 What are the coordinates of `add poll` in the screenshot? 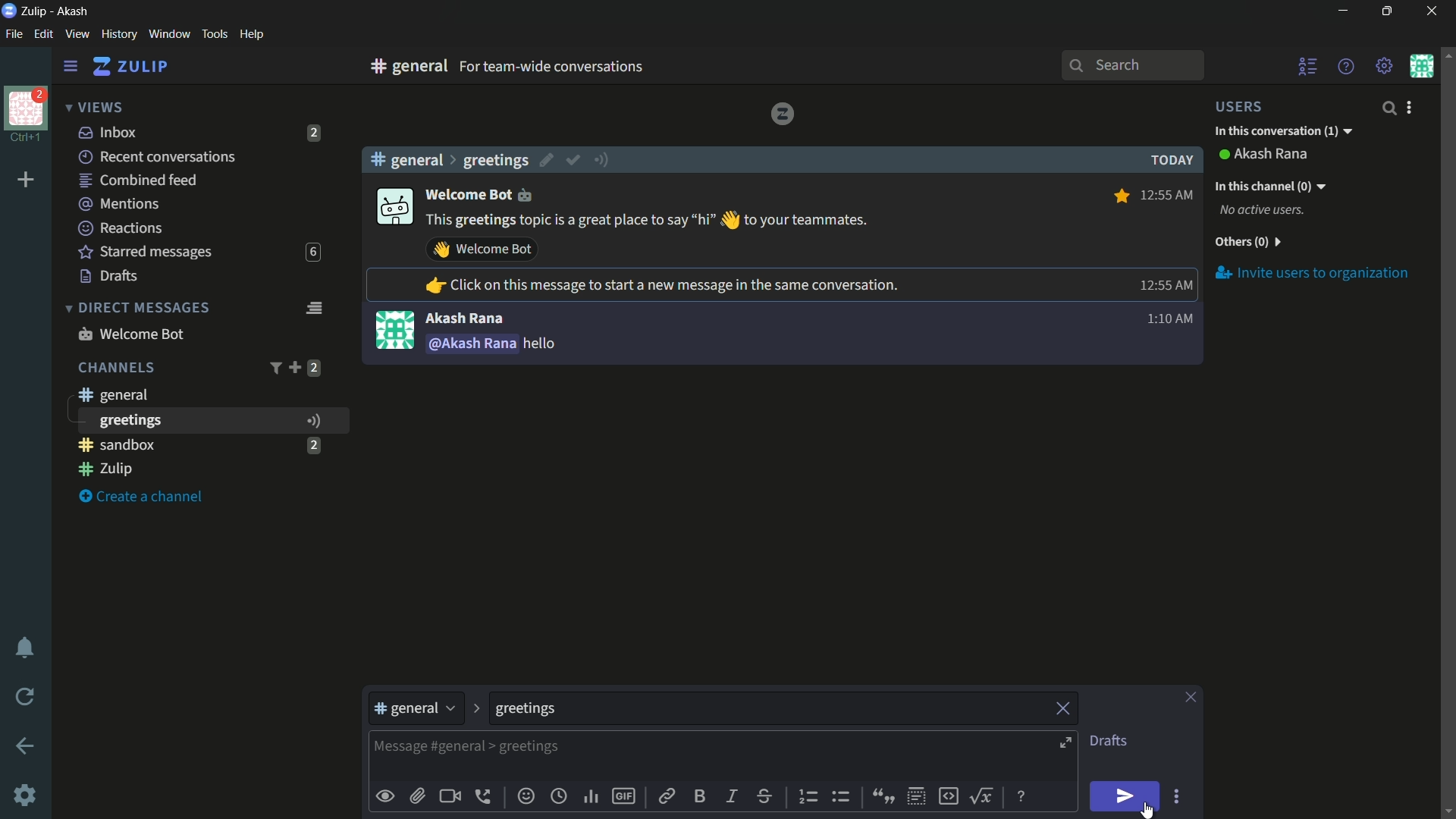 It's located at (592, 798).